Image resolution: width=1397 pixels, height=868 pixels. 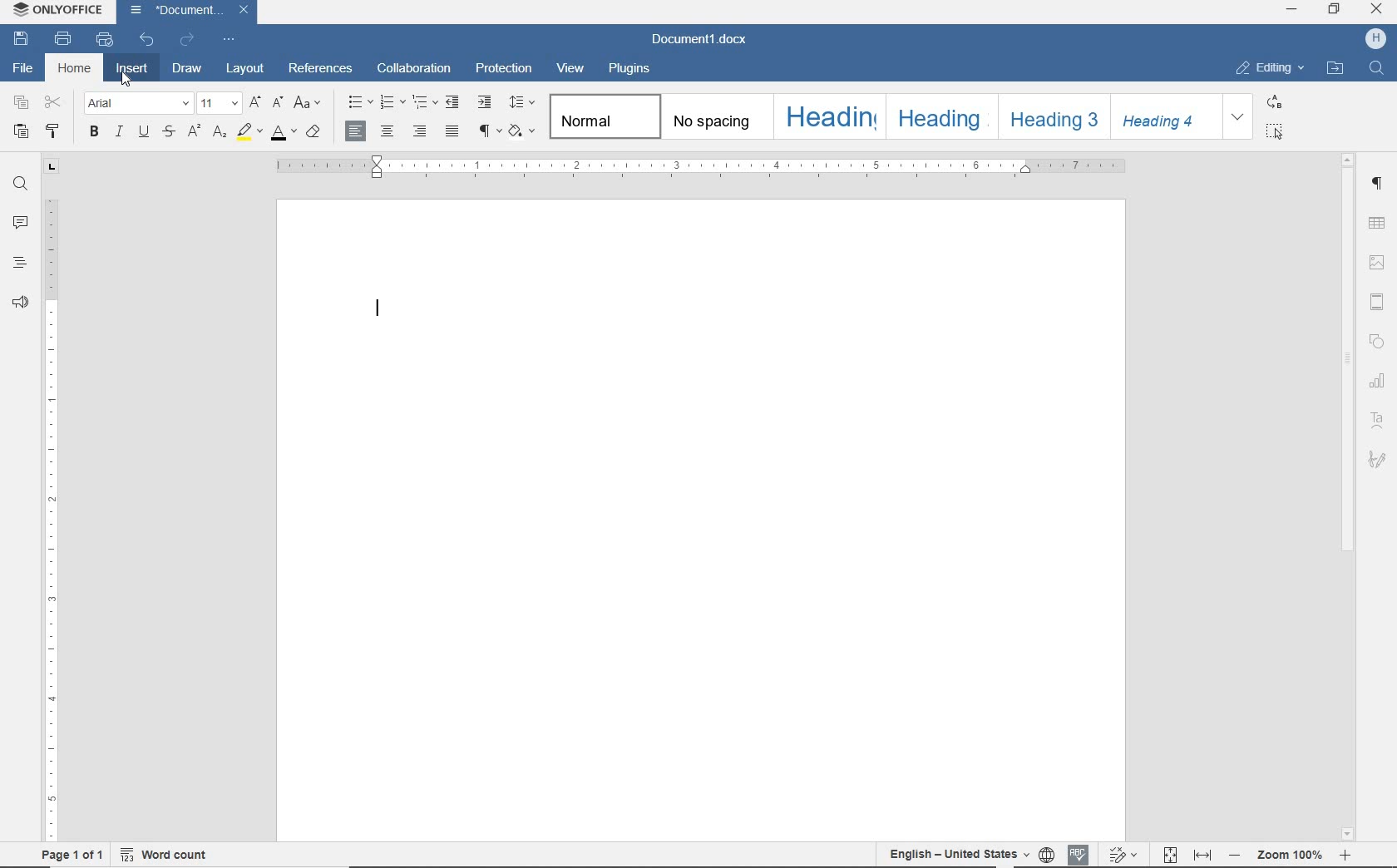 What do you see at coordinates (1346, 497) in the screenshot?
I see `scrollbar` at bounding box center [1346, 497].